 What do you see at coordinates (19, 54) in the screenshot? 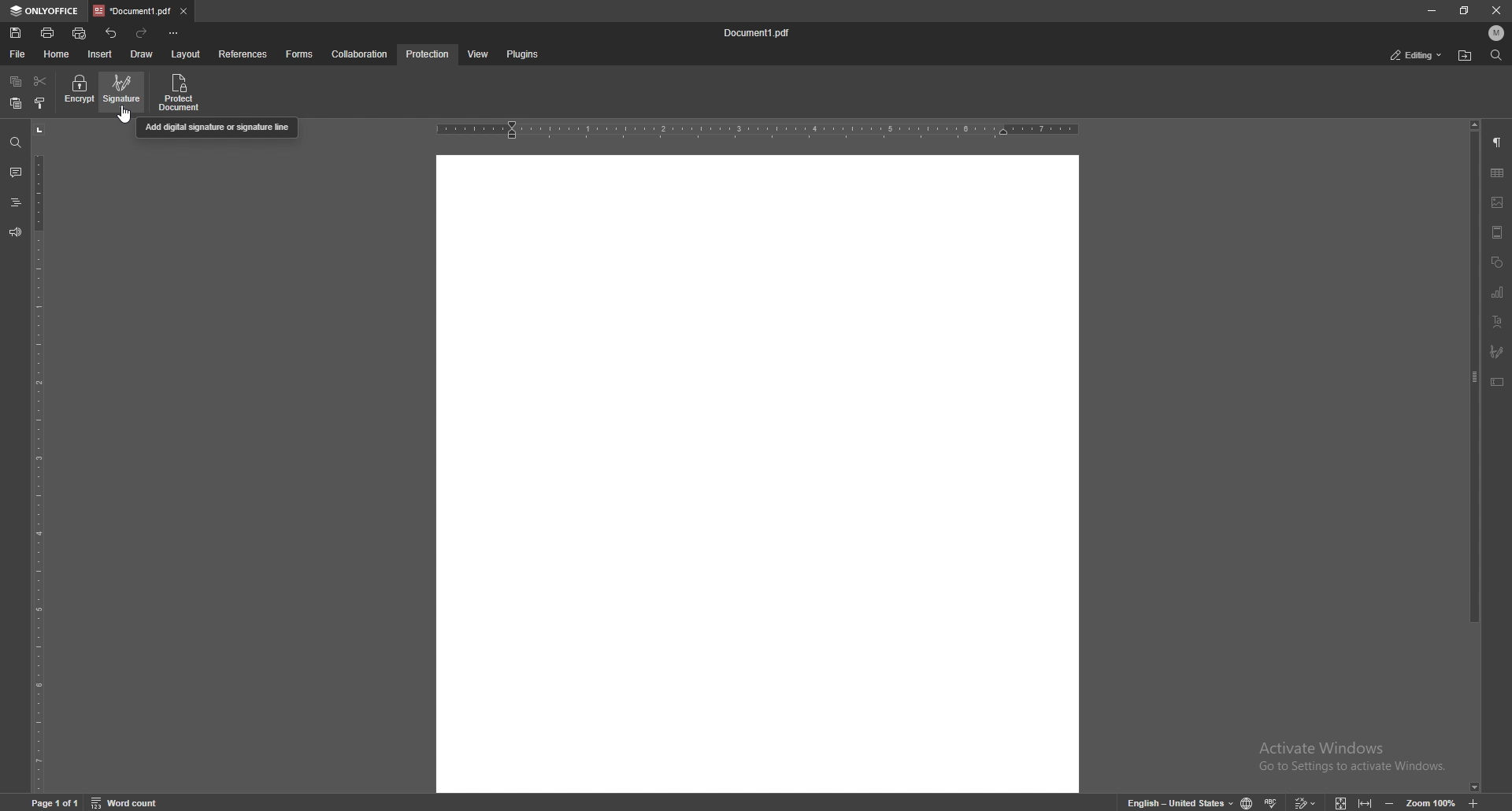
I see `file` at bounding box center [19, 54].